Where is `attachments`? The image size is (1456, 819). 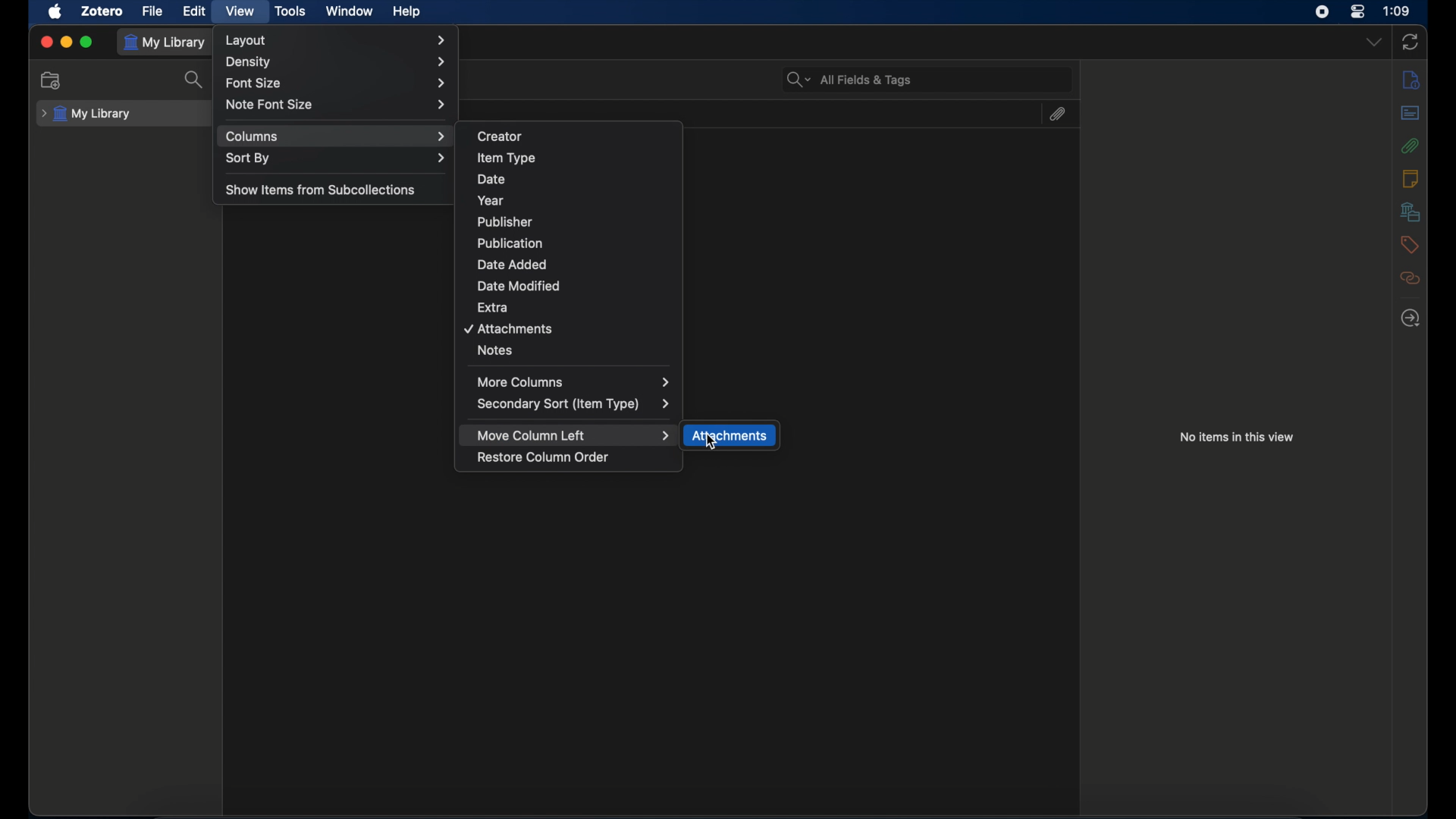
attachments is located at coordinates (1409, 146).